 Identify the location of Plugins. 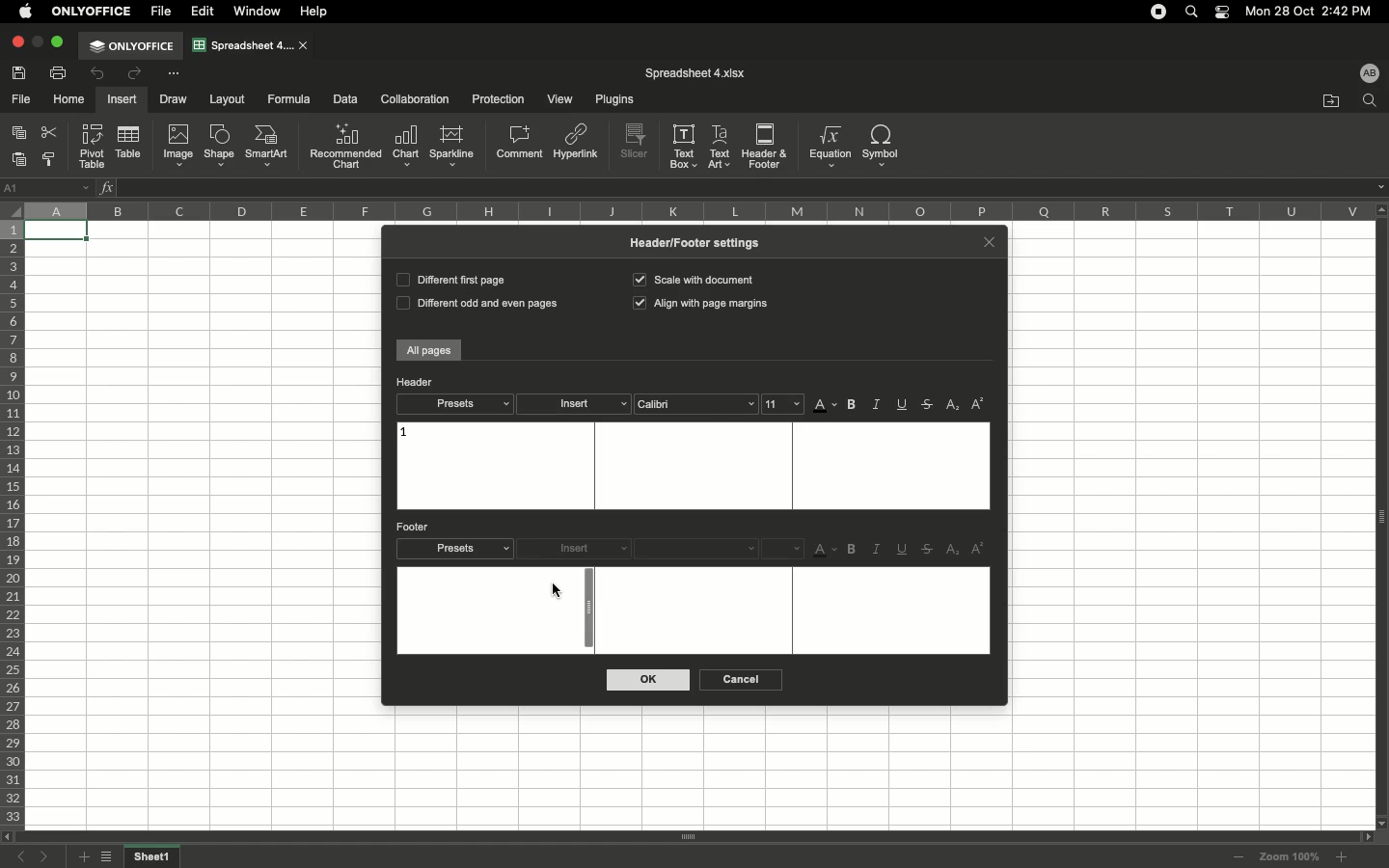
(612, 100).